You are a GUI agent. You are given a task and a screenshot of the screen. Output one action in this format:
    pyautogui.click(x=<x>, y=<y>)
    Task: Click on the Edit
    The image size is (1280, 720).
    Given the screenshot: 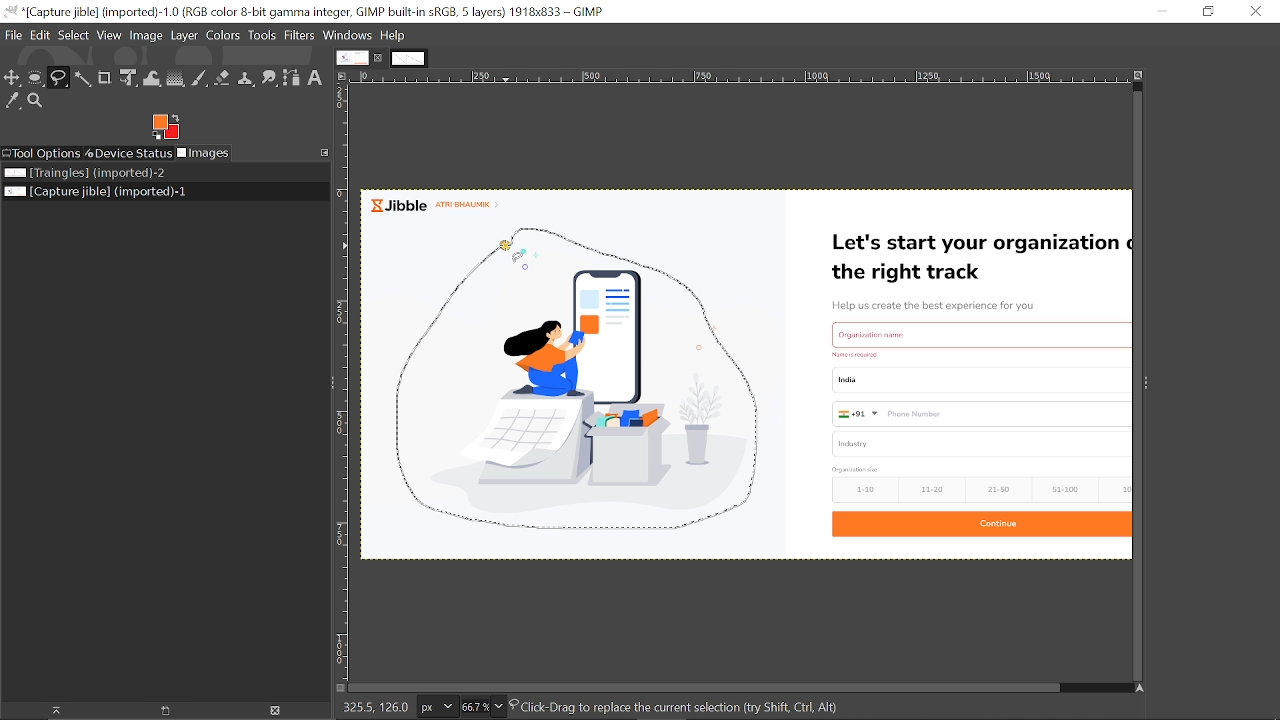 What is the action you would take?
    pyautogui.click(x=41, y=35)
    